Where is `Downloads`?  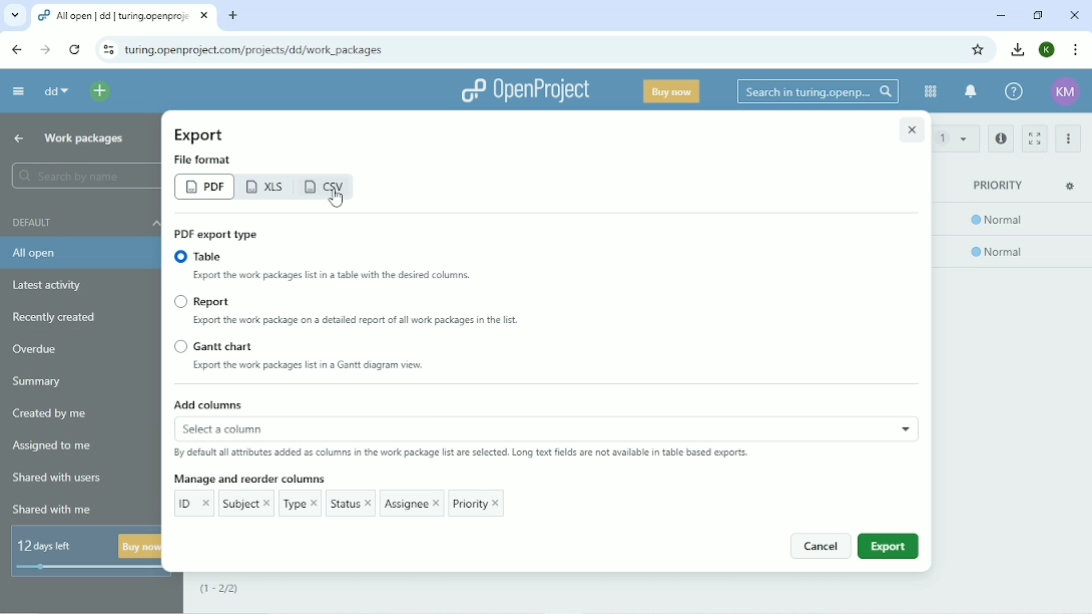 Downloads is located at coordinates (1018, 49).